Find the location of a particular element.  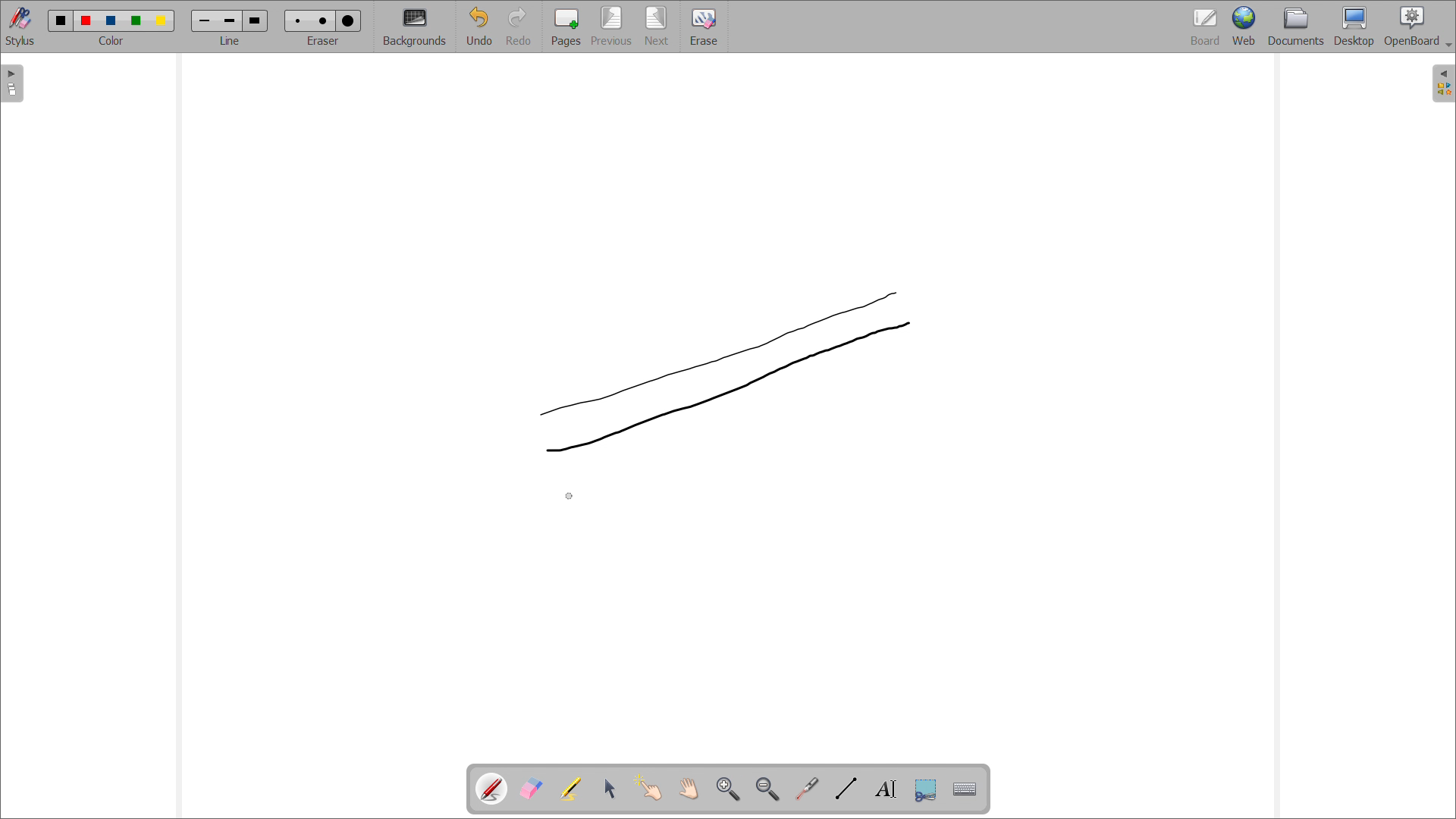

backgrounds is located at coordinates (415, 26).